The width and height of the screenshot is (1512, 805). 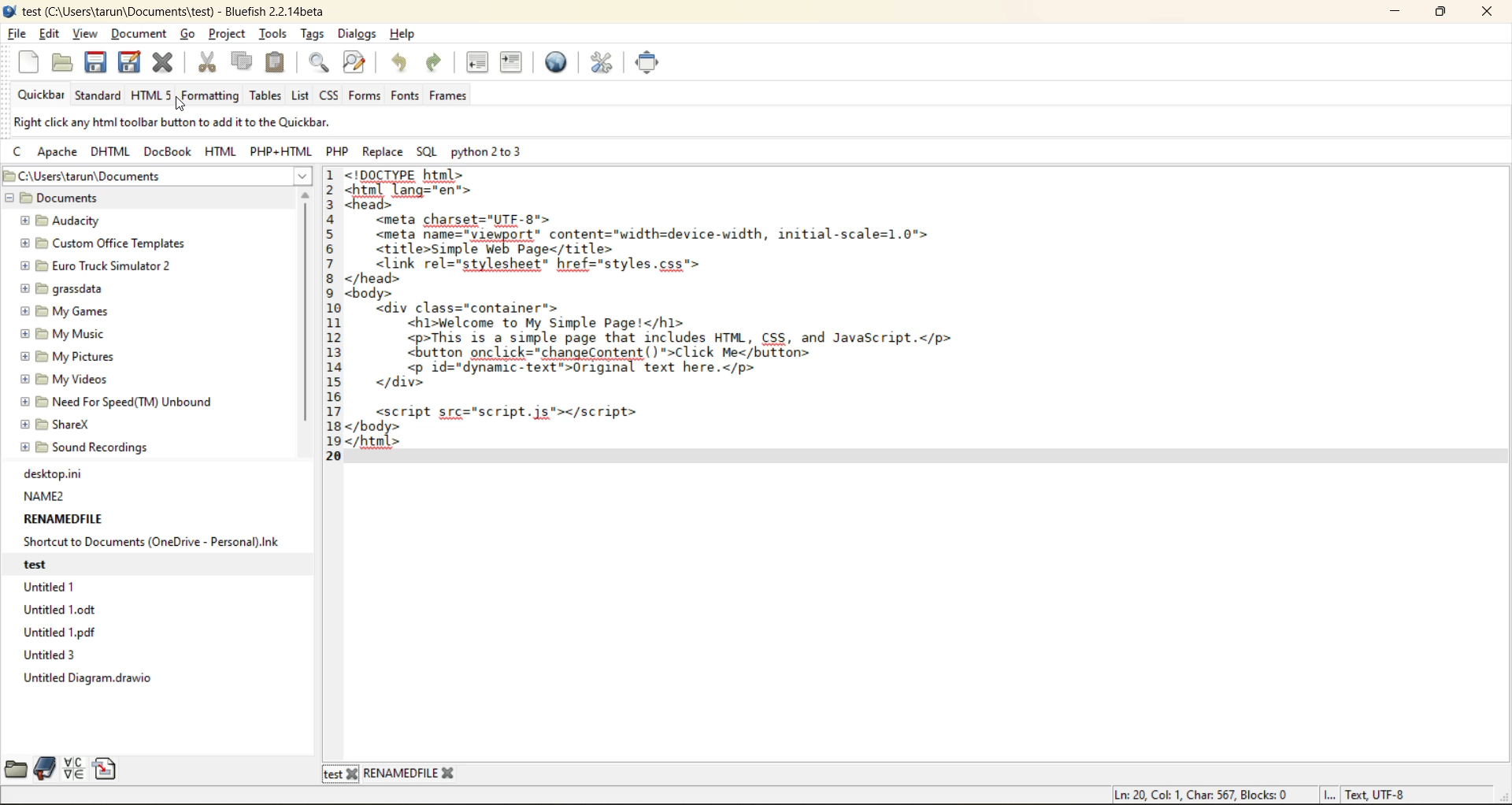 What do you see at coordinates (208, 61) in the screenshot?
I see `cut` at bounding box center [208, 61].